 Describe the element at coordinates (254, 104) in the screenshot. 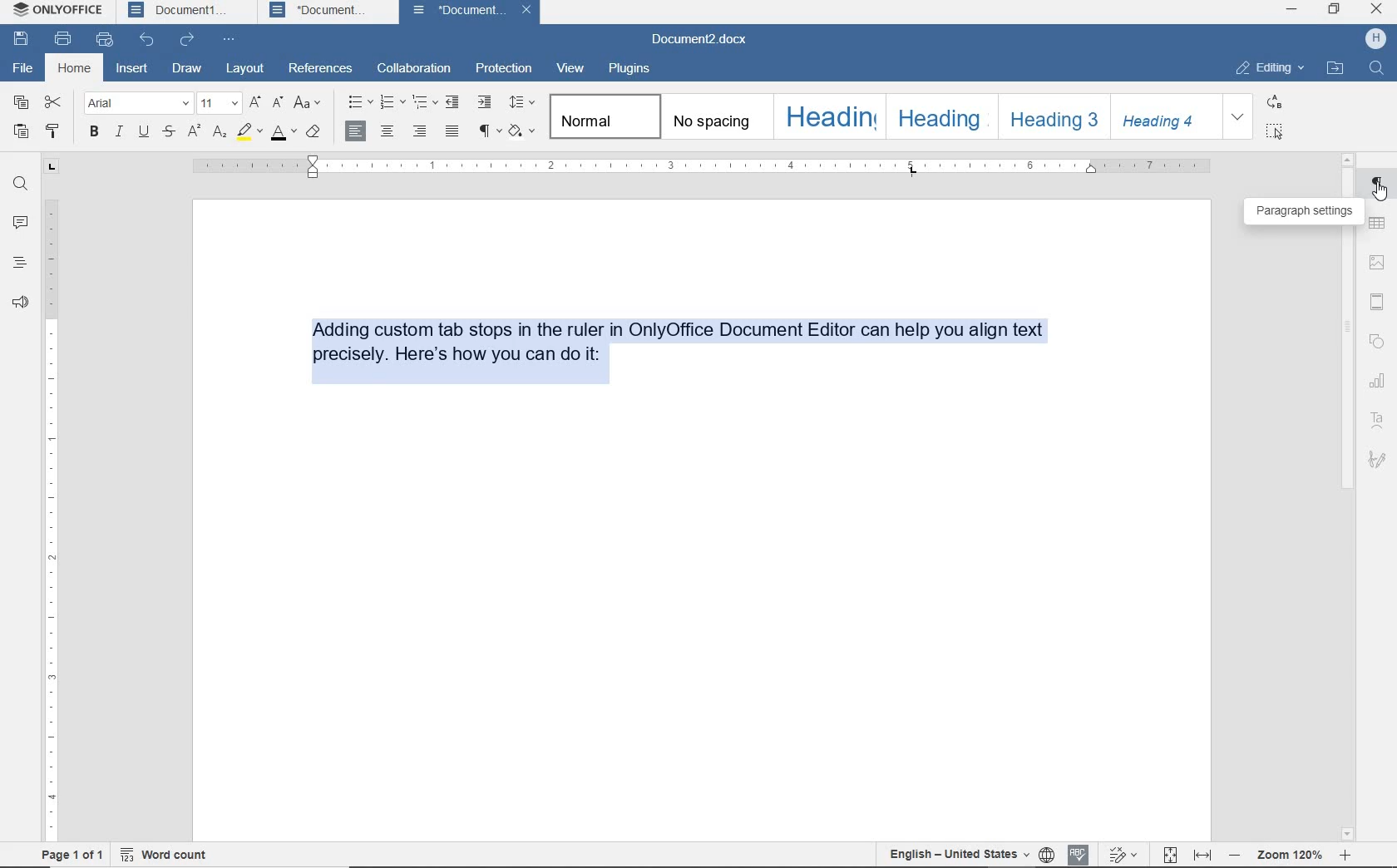

I see `increment font size` at that location.